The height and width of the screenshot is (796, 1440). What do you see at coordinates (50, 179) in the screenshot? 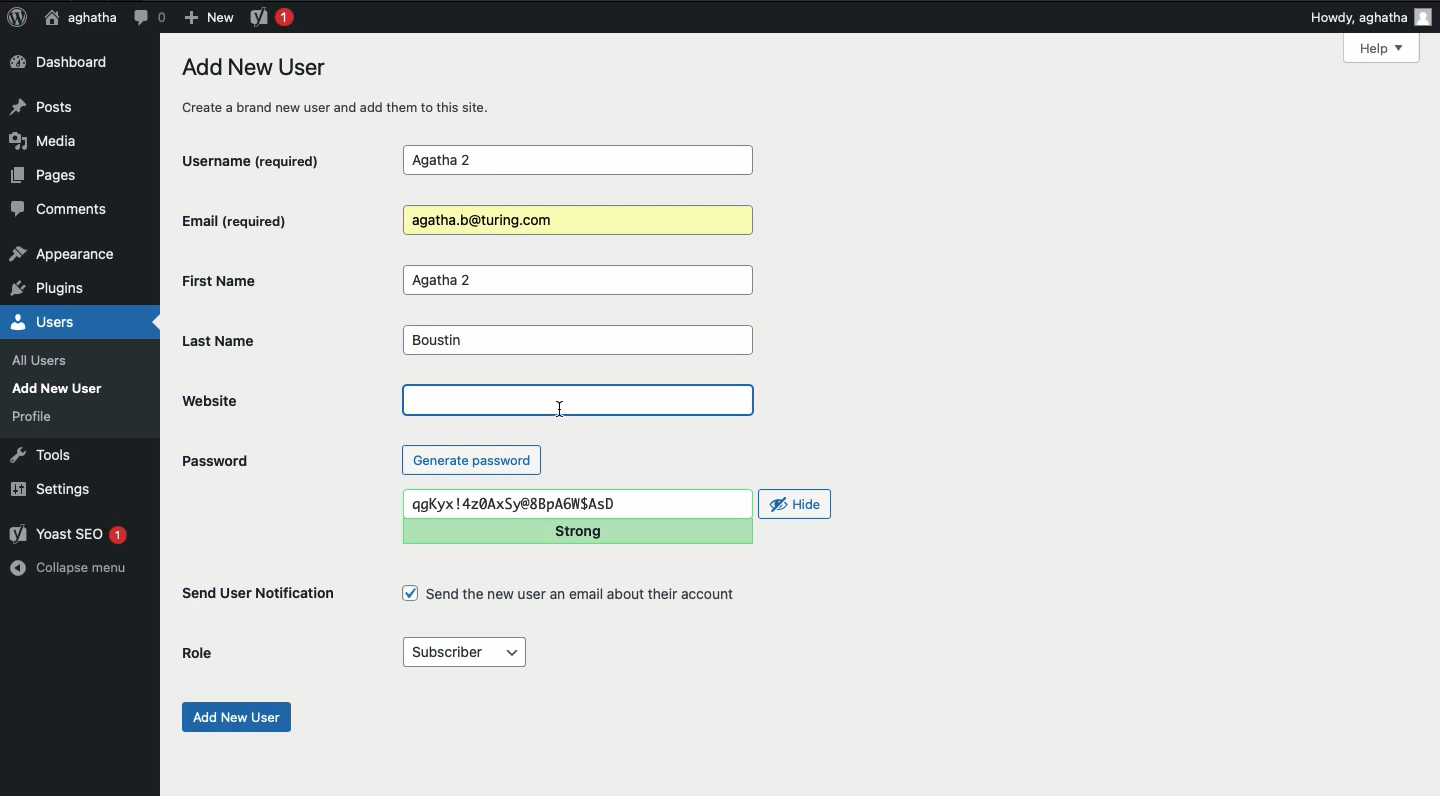
I see `Pages` at bounding box center [50, 179].